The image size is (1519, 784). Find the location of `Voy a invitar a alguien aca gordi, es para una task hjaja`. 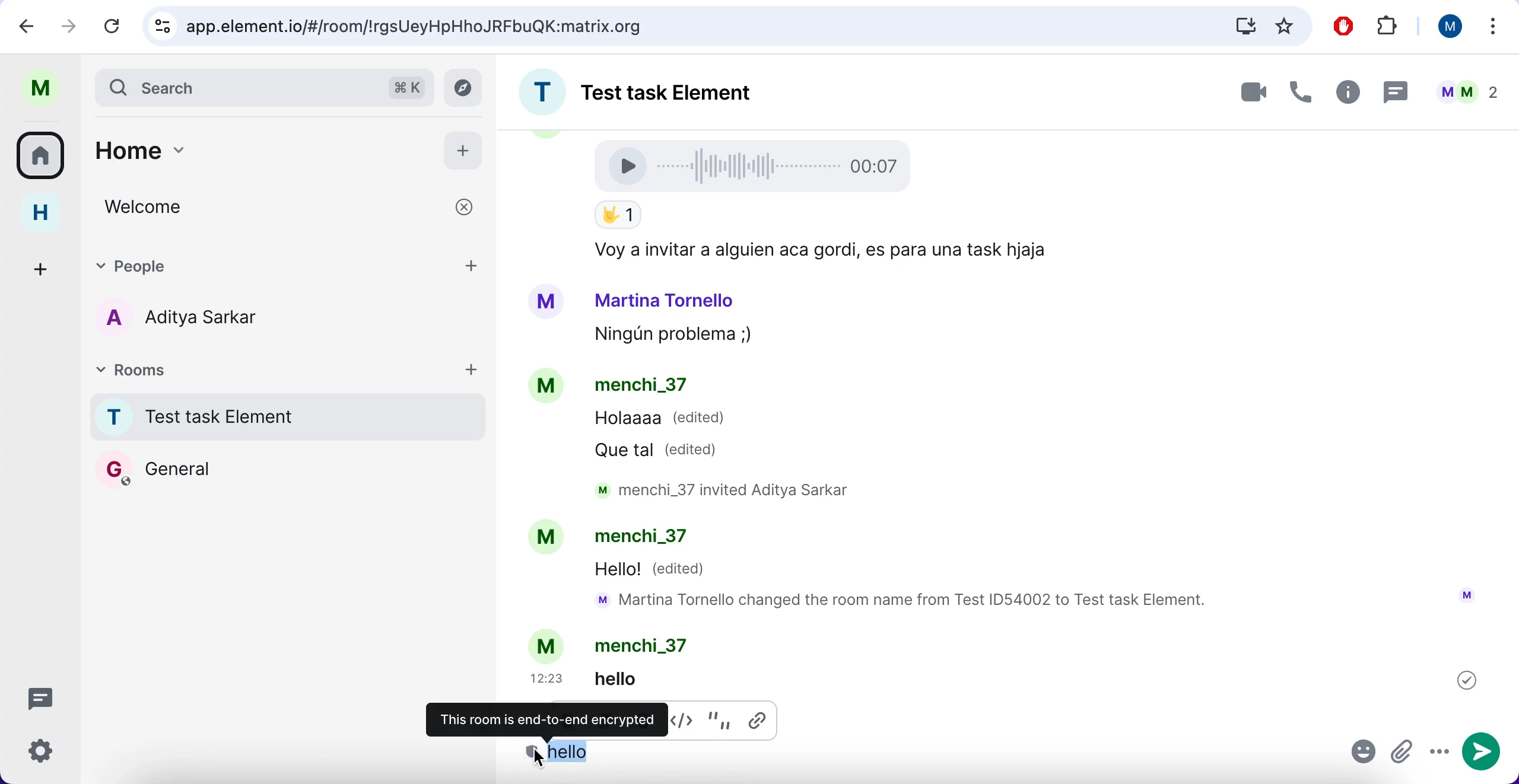

Voy a invitar a alguien aca gordi, es para una task hjaja is located at coordinates (816, 251).